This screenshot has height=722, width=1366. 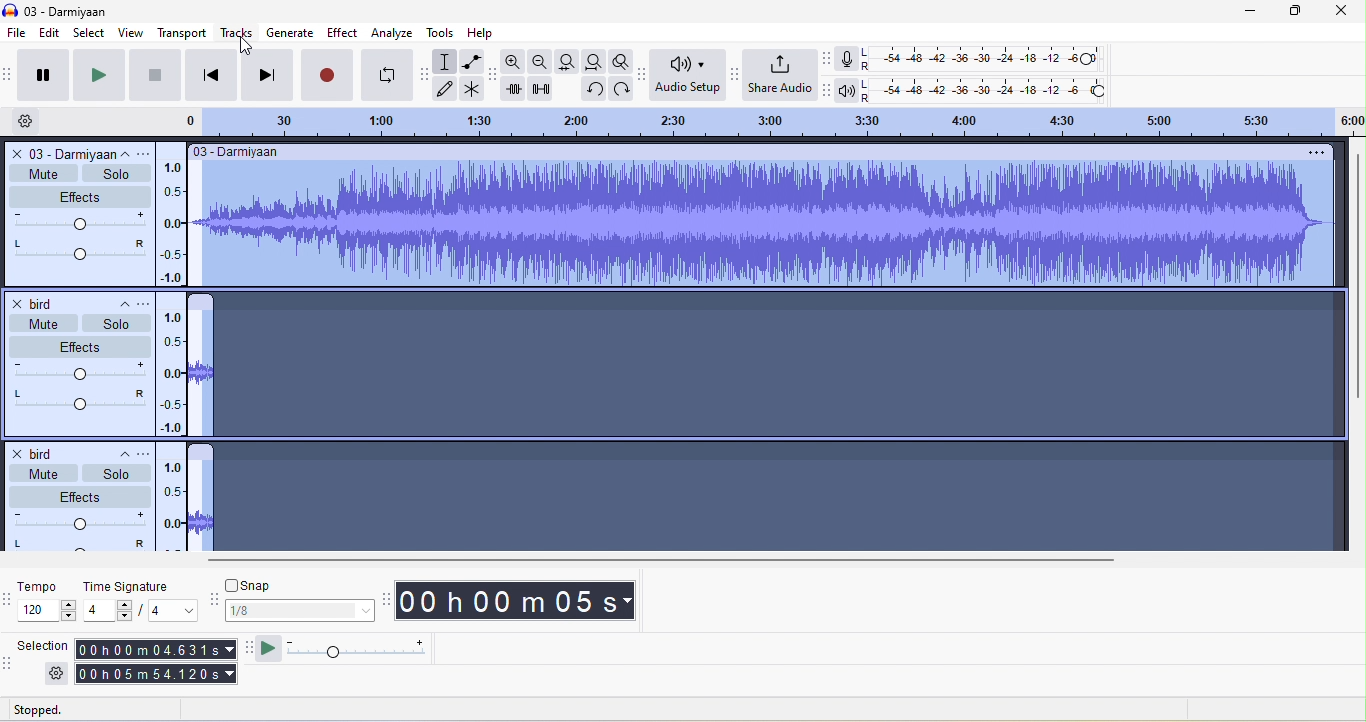 I want to click on redo, so click(x=623, y=88).